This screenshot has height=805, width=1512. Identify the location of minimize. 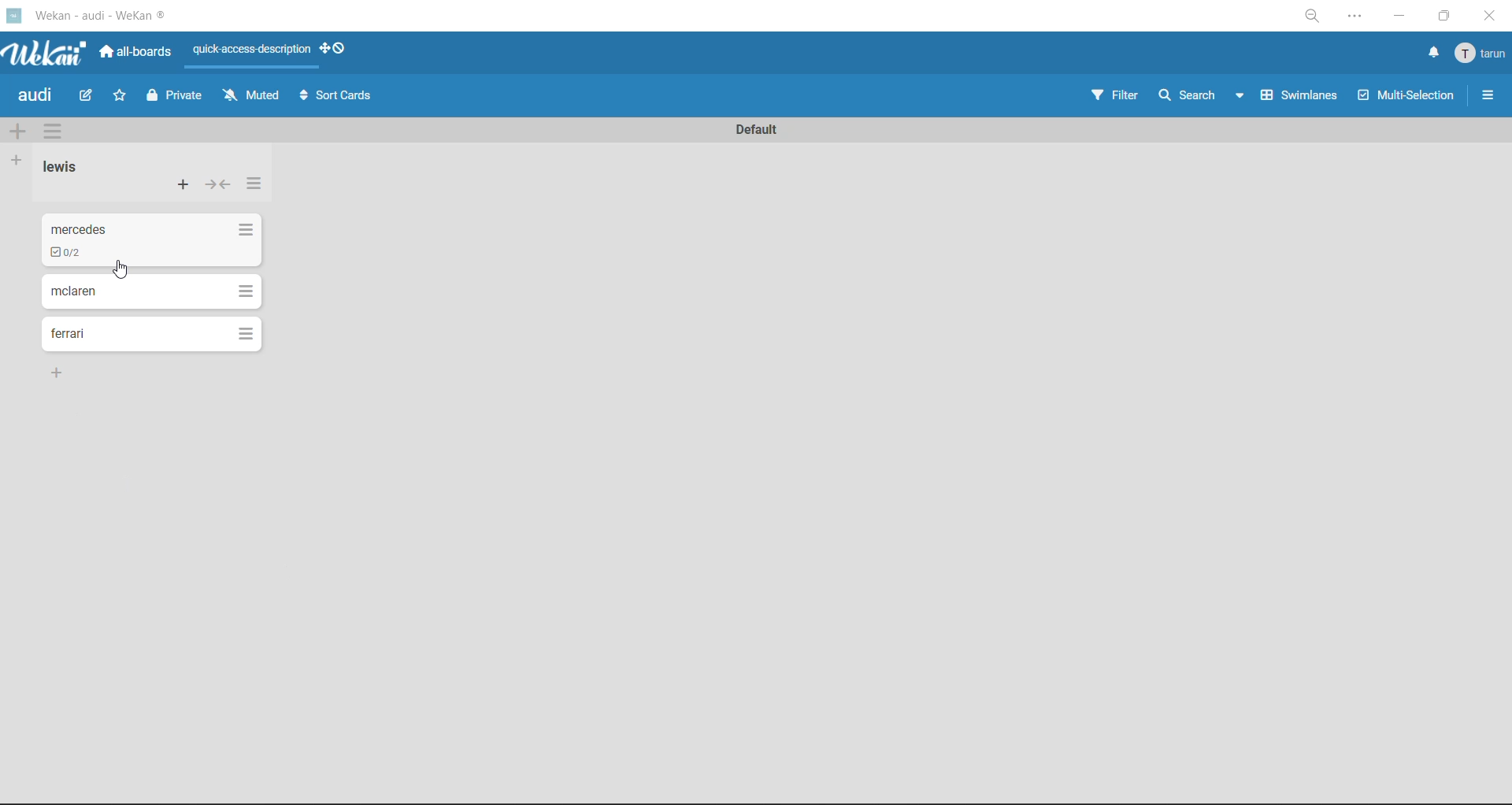
(1399, 20).